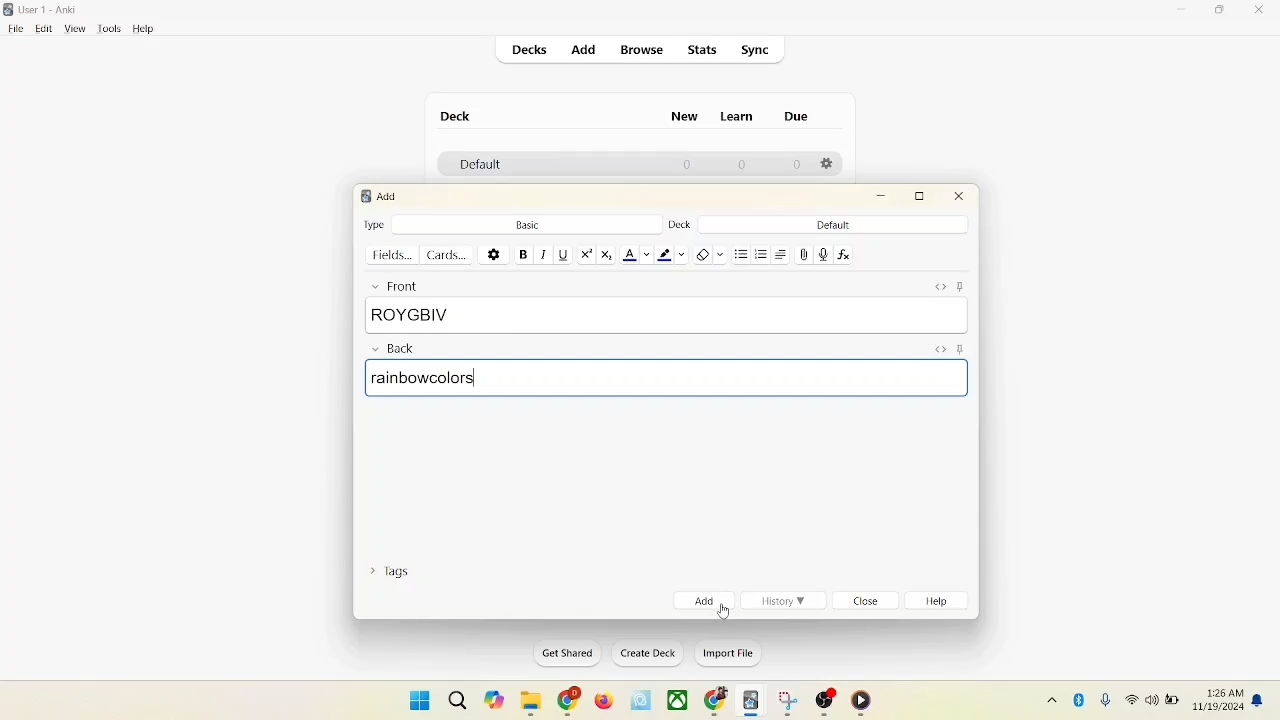 The width and height of the screenshot is (1280, 720). I want to click on search, so click(456, 696).